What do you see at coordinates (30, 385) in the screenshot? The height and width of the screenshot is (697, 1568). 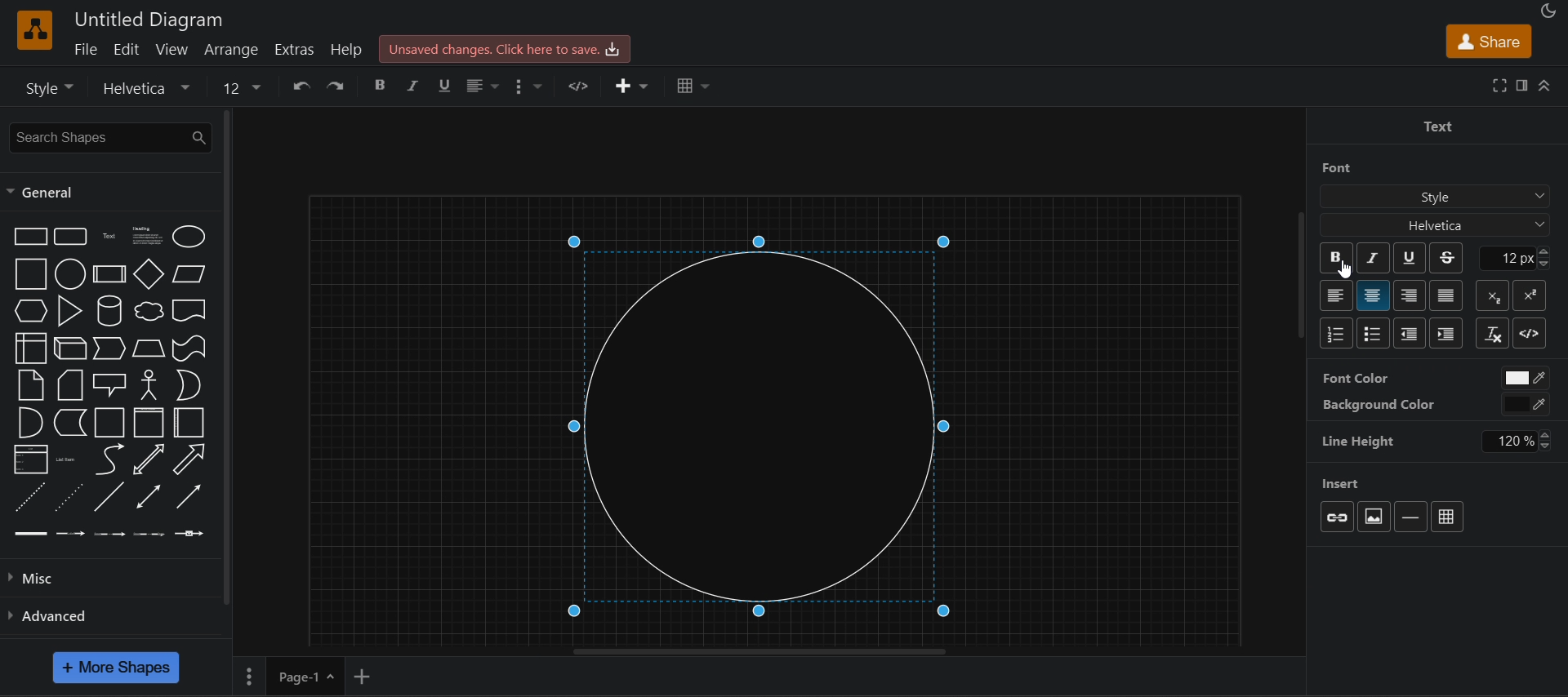 I see `note` at bounding box center [30, 385].